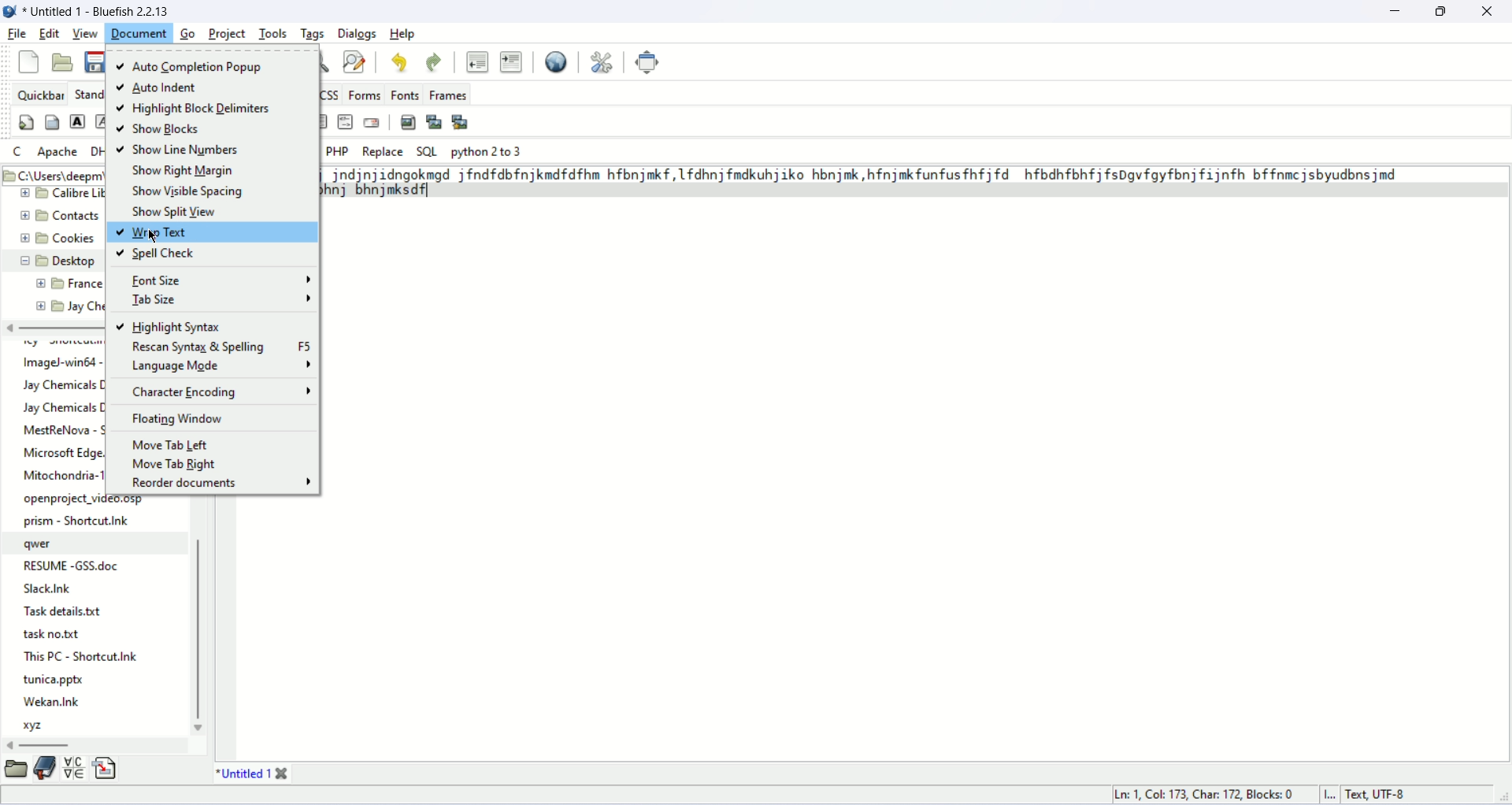 The image size is (1512, 805). What do you see at coordinates (201, 634) in the screenshot?
I see `vertical scroll bar` at bounding box center [201, 634].